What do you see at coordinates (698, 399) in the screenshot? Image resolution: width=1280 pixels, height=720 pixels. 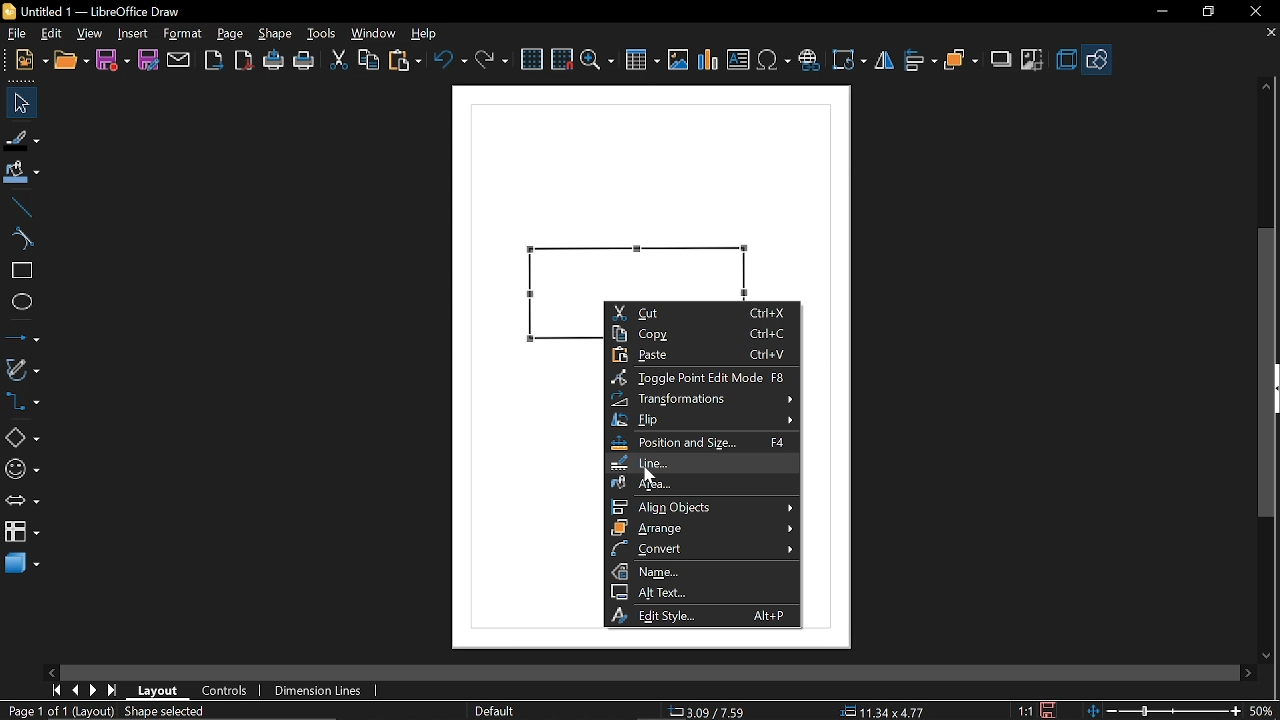 I see `Transfromation` at bounding box center [698, 399].